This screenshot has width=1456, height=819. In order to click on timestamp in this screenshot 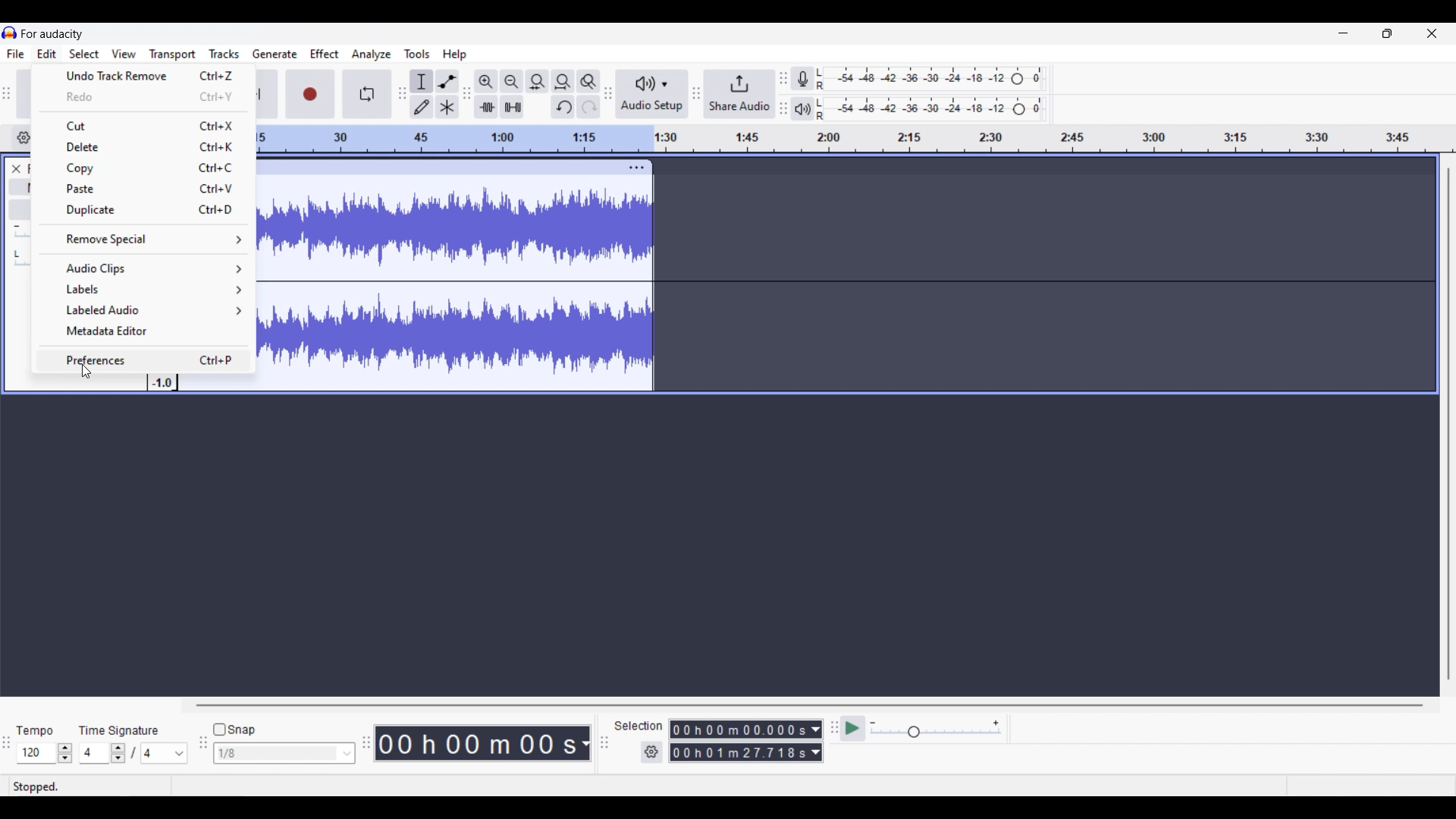, I will do `click(482, 743)`.